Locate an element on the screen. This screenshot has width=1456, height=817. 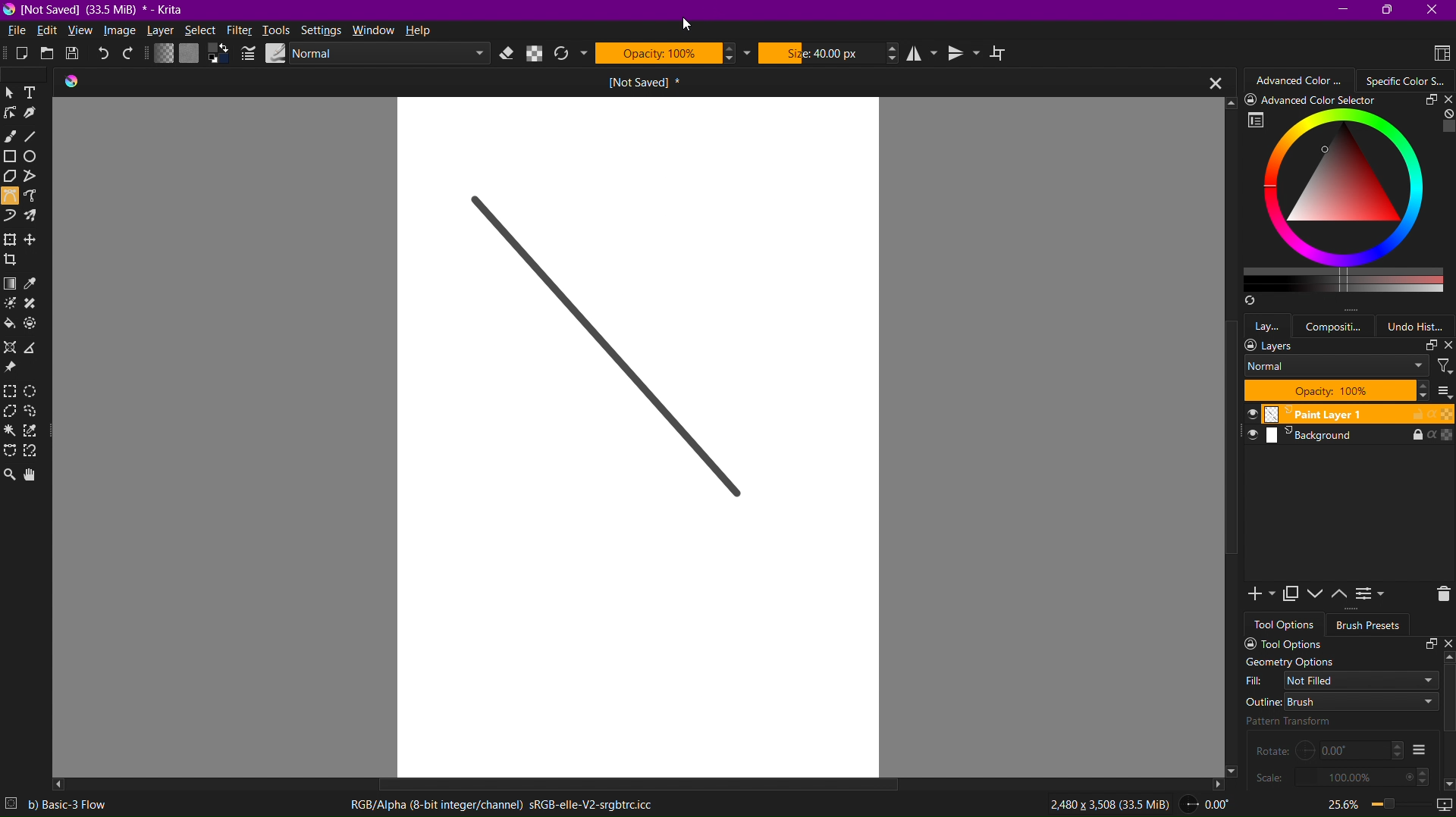
Right is located at coordinates (1216, 783).